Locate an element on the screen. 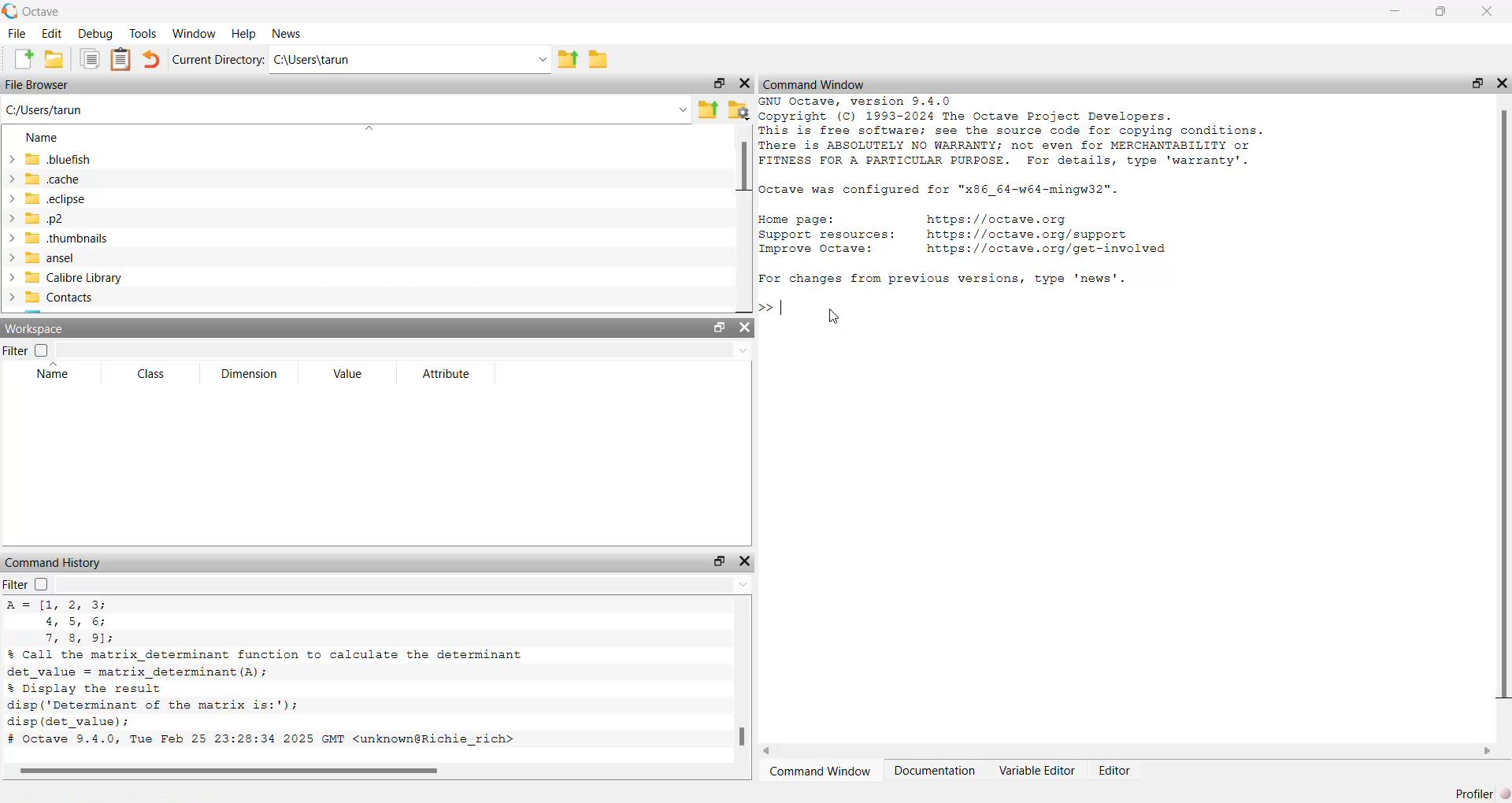  name is located at coordinates (48, 139).